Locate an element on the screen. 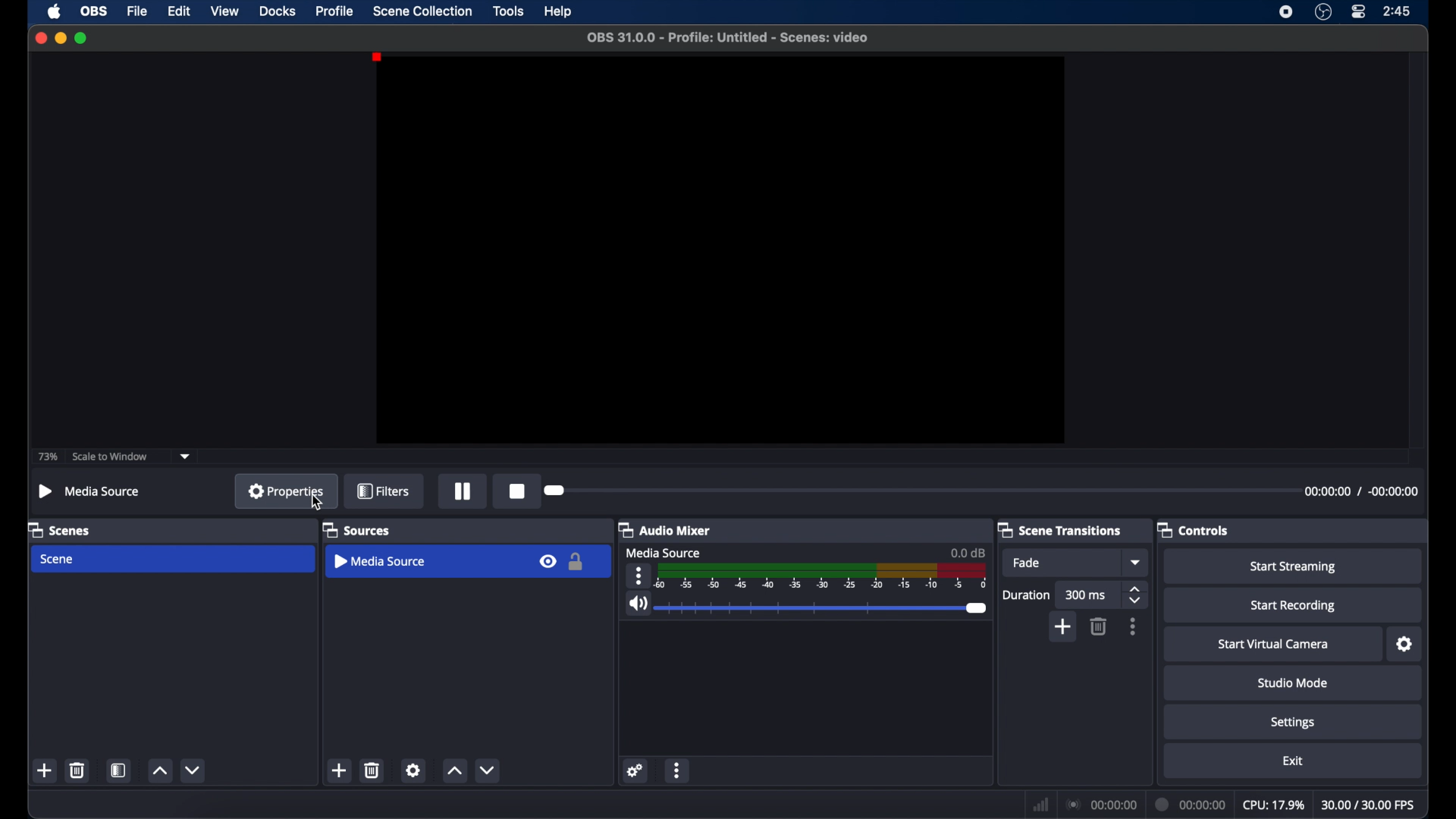 The height and width of the screenshot is (819, 1456). close is located at coordinates (38, 37).